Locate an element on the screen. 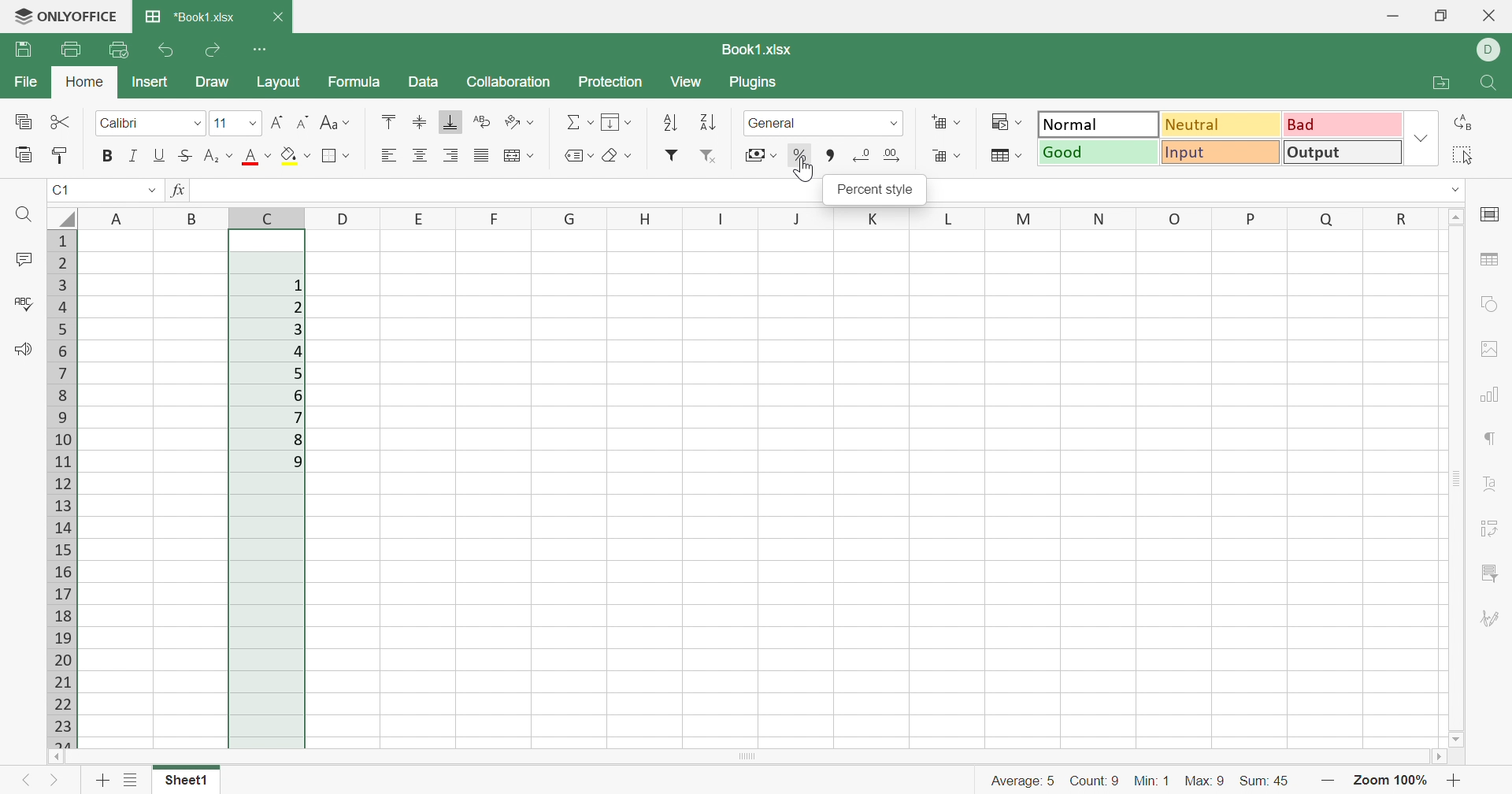  Cursor is located at coordinates (805, 169).